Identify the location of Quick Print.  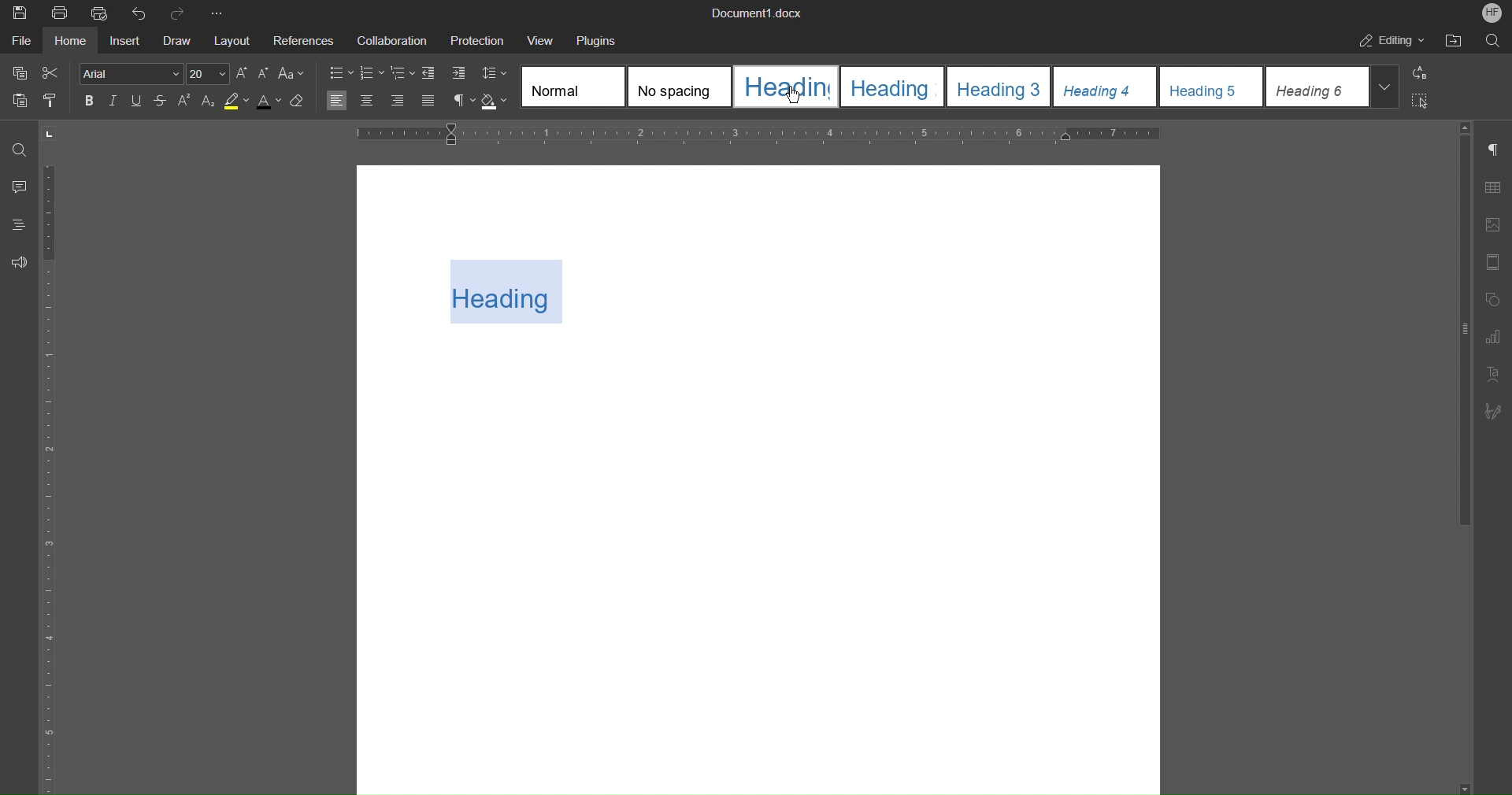
(102, 12).